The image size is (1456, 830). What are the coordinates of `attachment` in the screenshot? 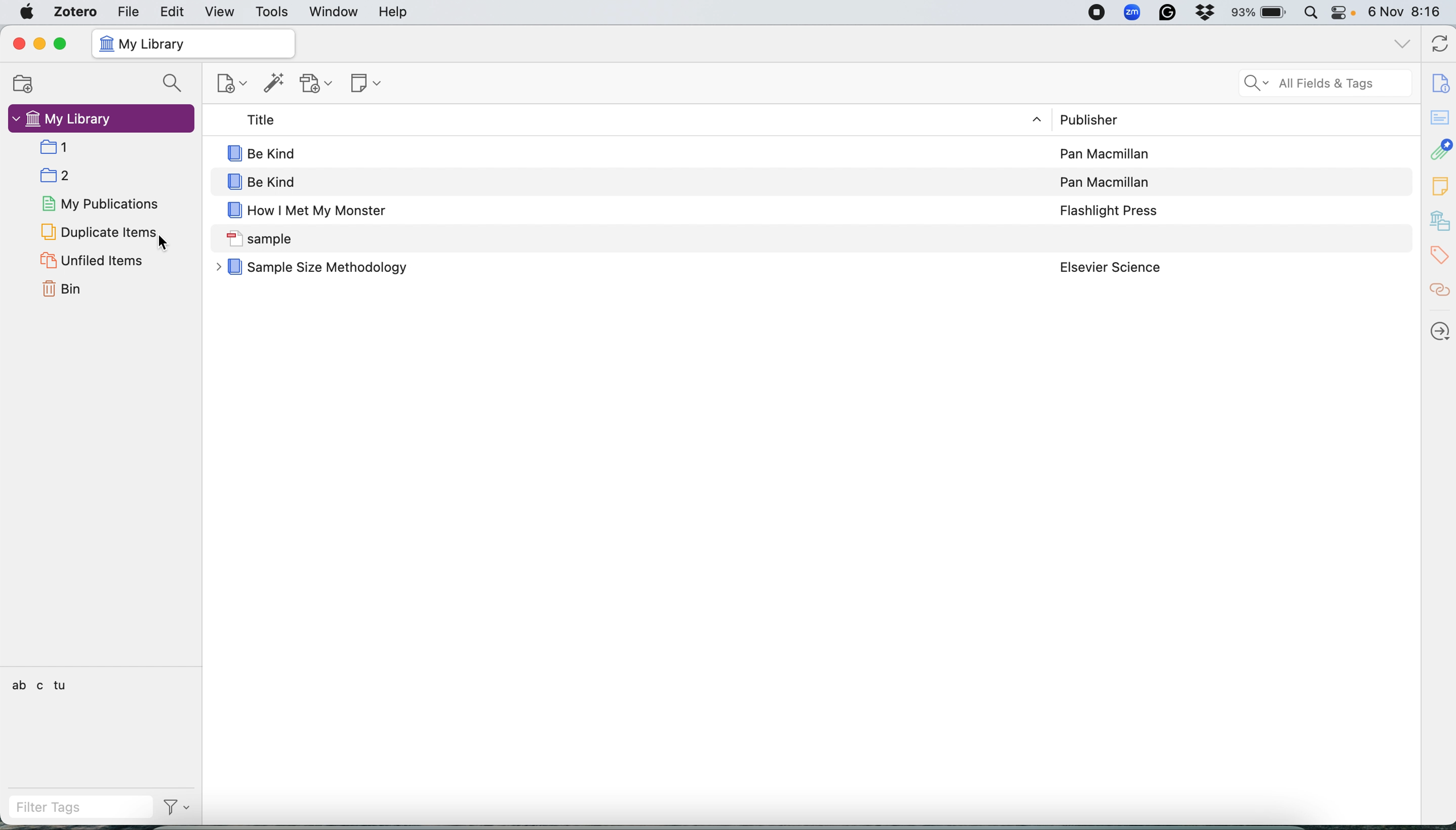 It's located at (1439, 150).